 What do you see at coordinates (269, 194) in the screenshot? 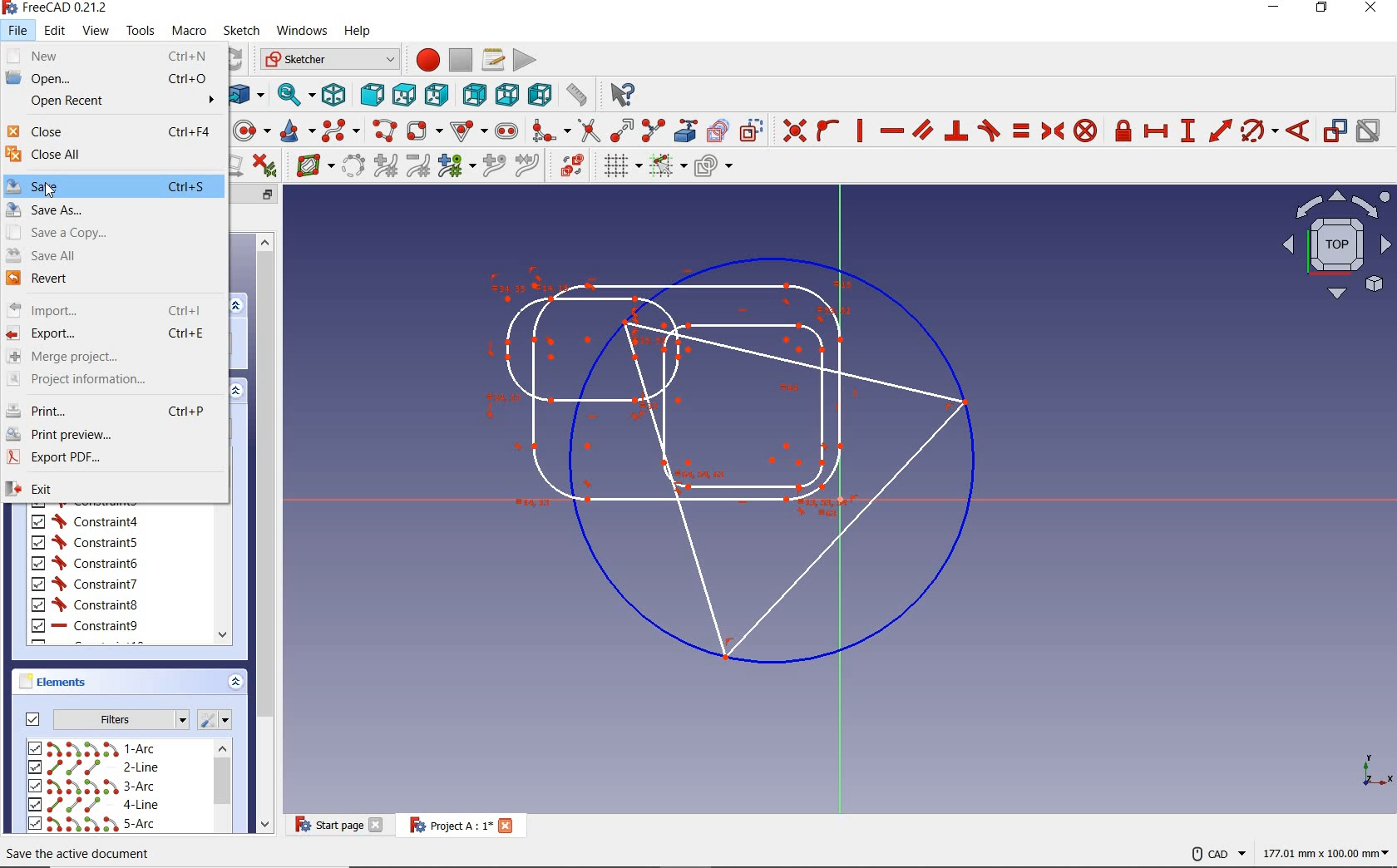
I see `restore down` at bounding box center [269, 194].